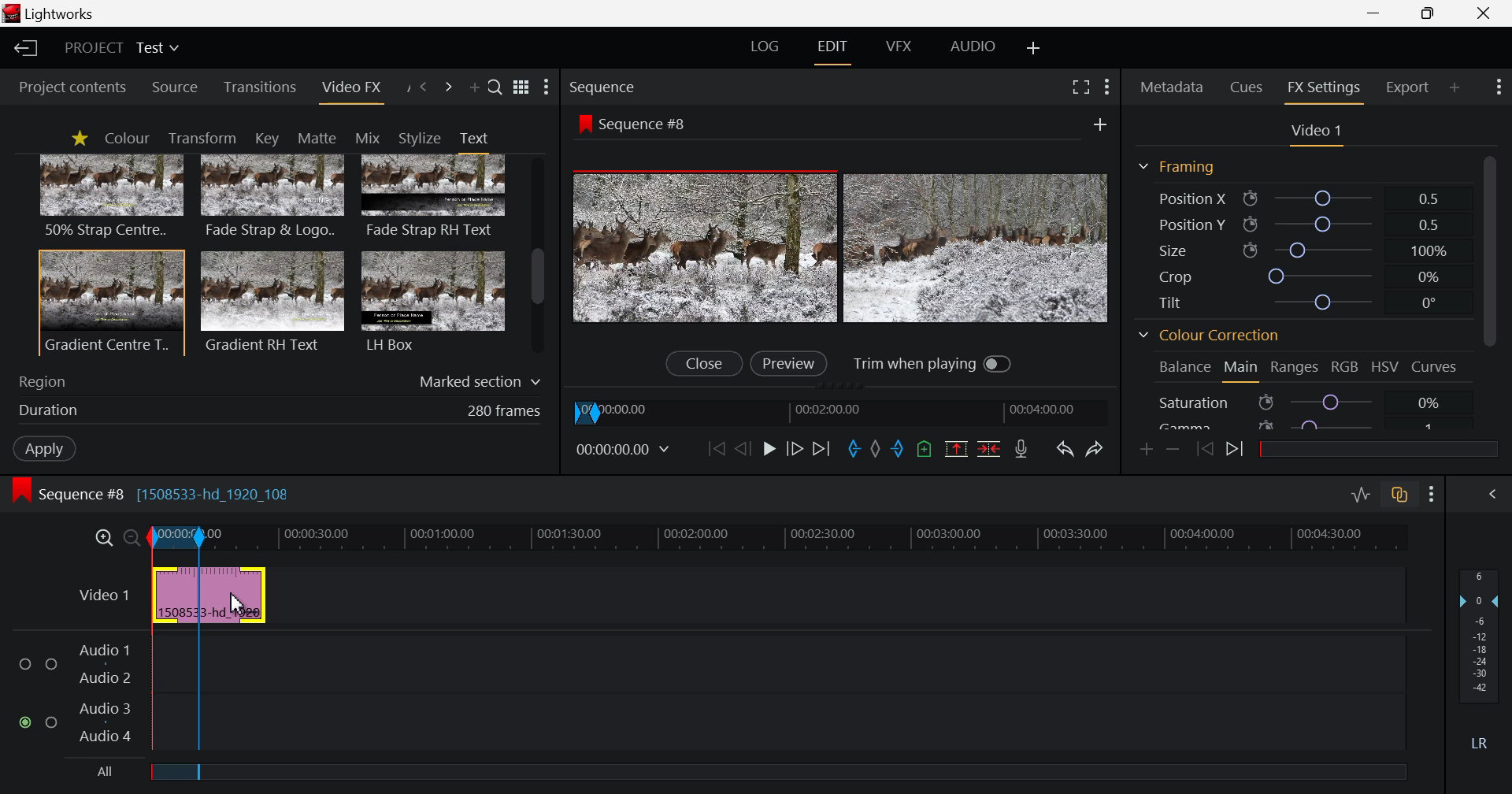  What do you see at coordinates (627, 450) in the screenshot?
I see `Frame Time` at bounding box center [627, 450].